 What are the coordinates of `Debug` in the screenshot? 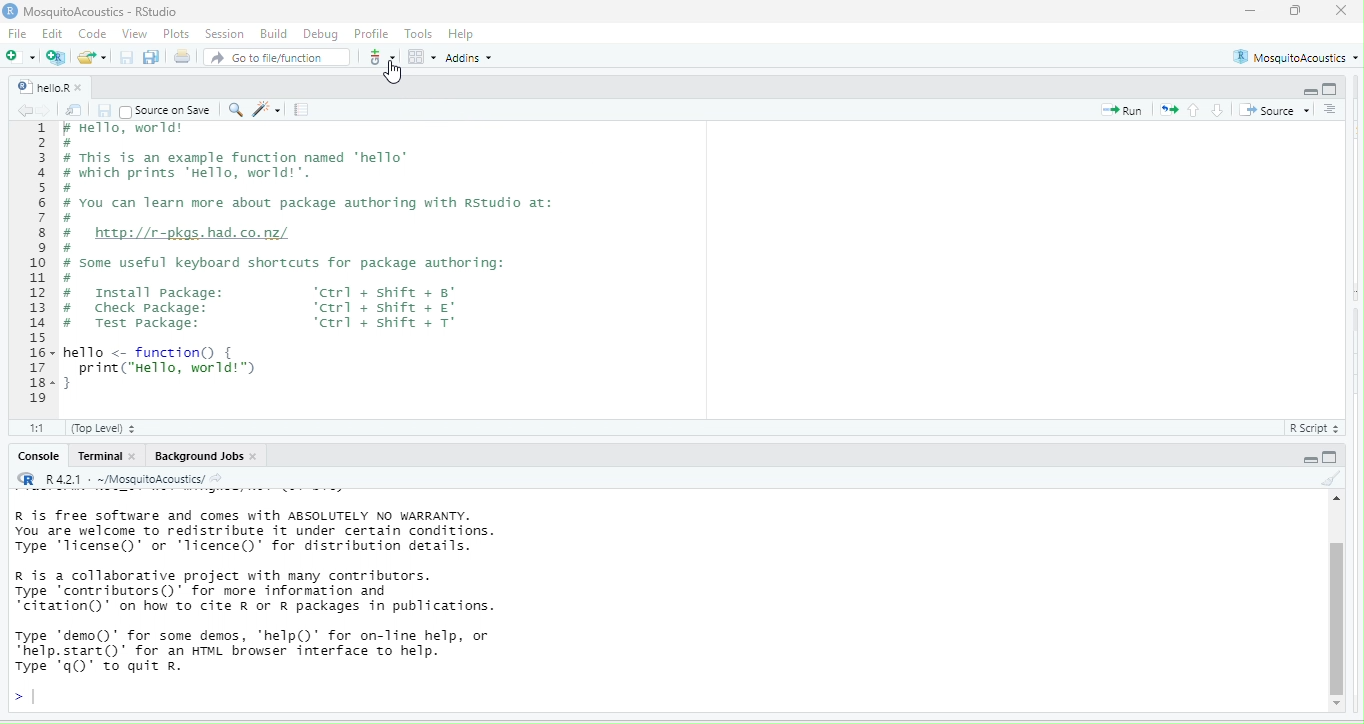 It's located at (318, 34).